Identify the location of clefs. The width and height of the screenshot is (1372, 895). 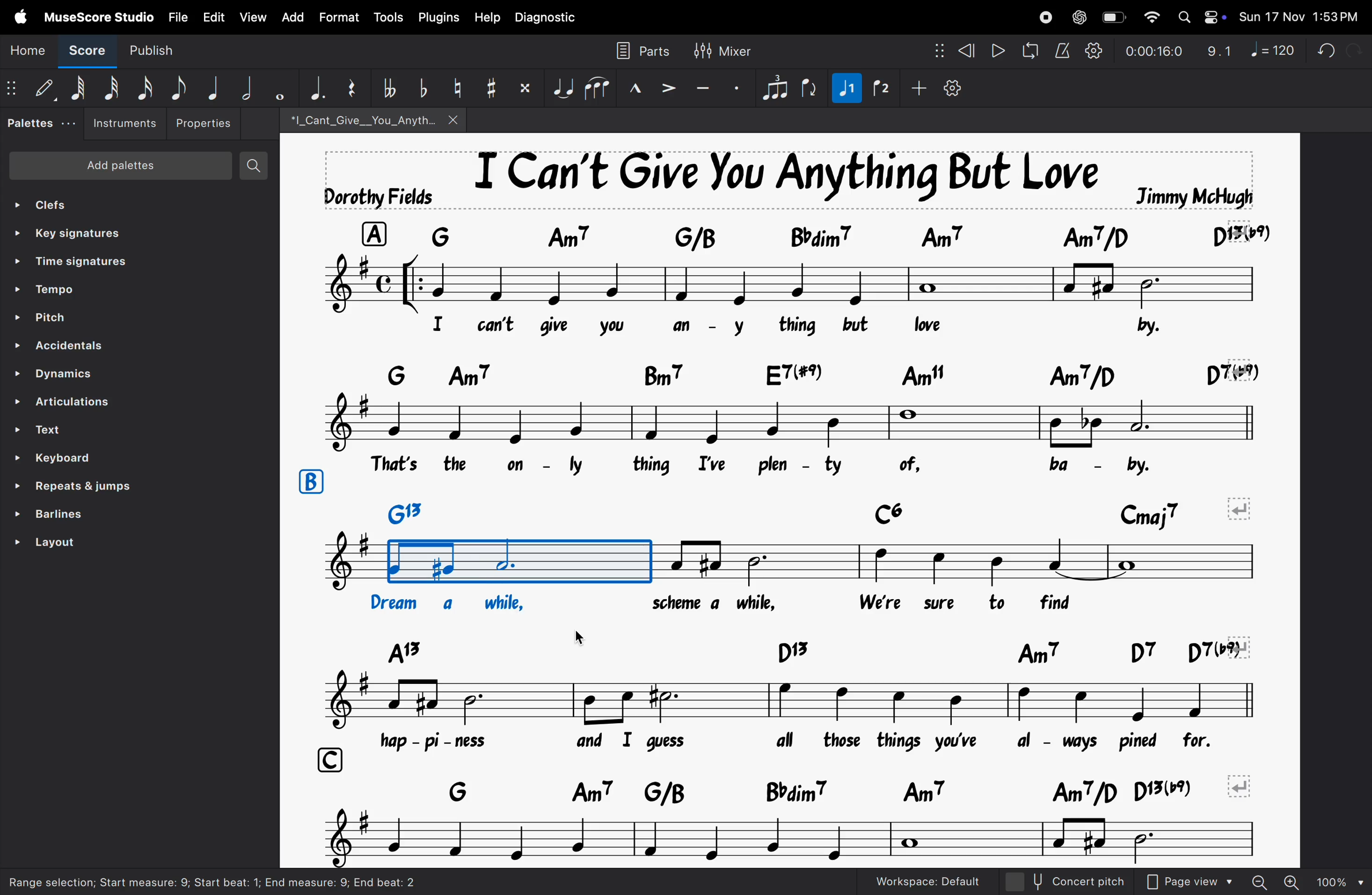
(63, 201).